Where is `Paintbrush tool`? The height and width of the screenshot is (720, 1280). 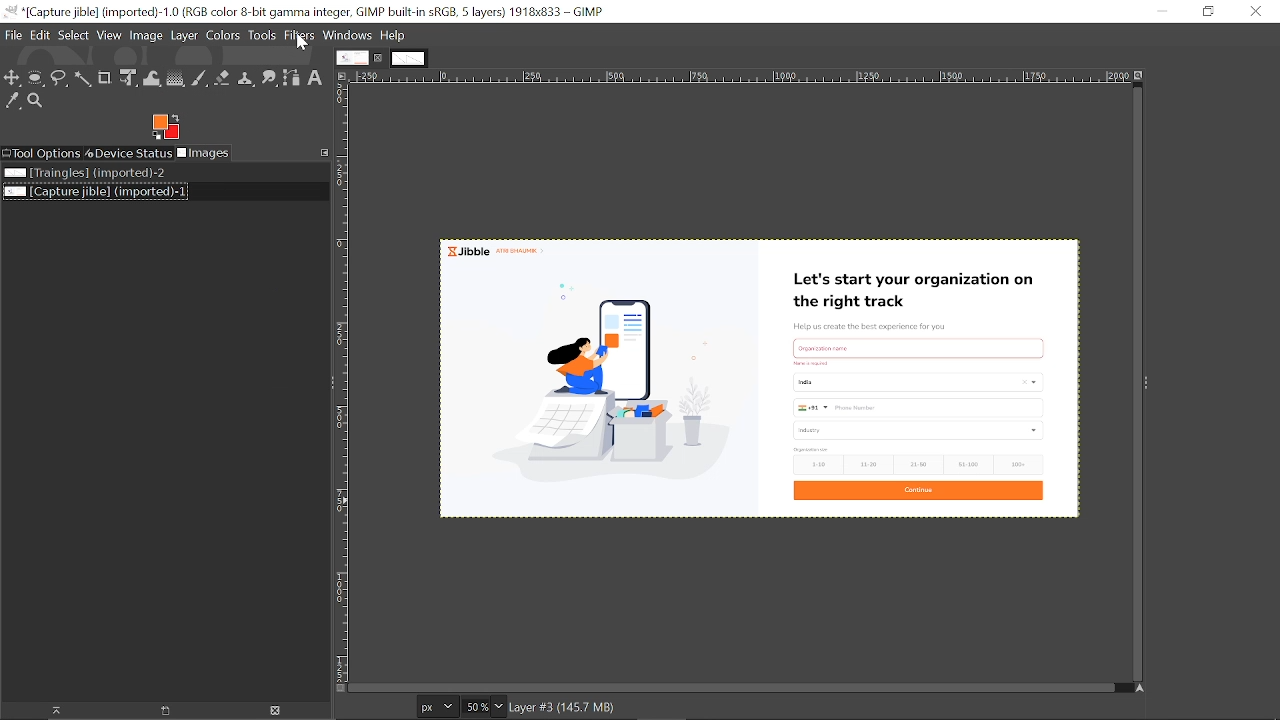
Paintbrush tool is located at coordinates (199, 78).